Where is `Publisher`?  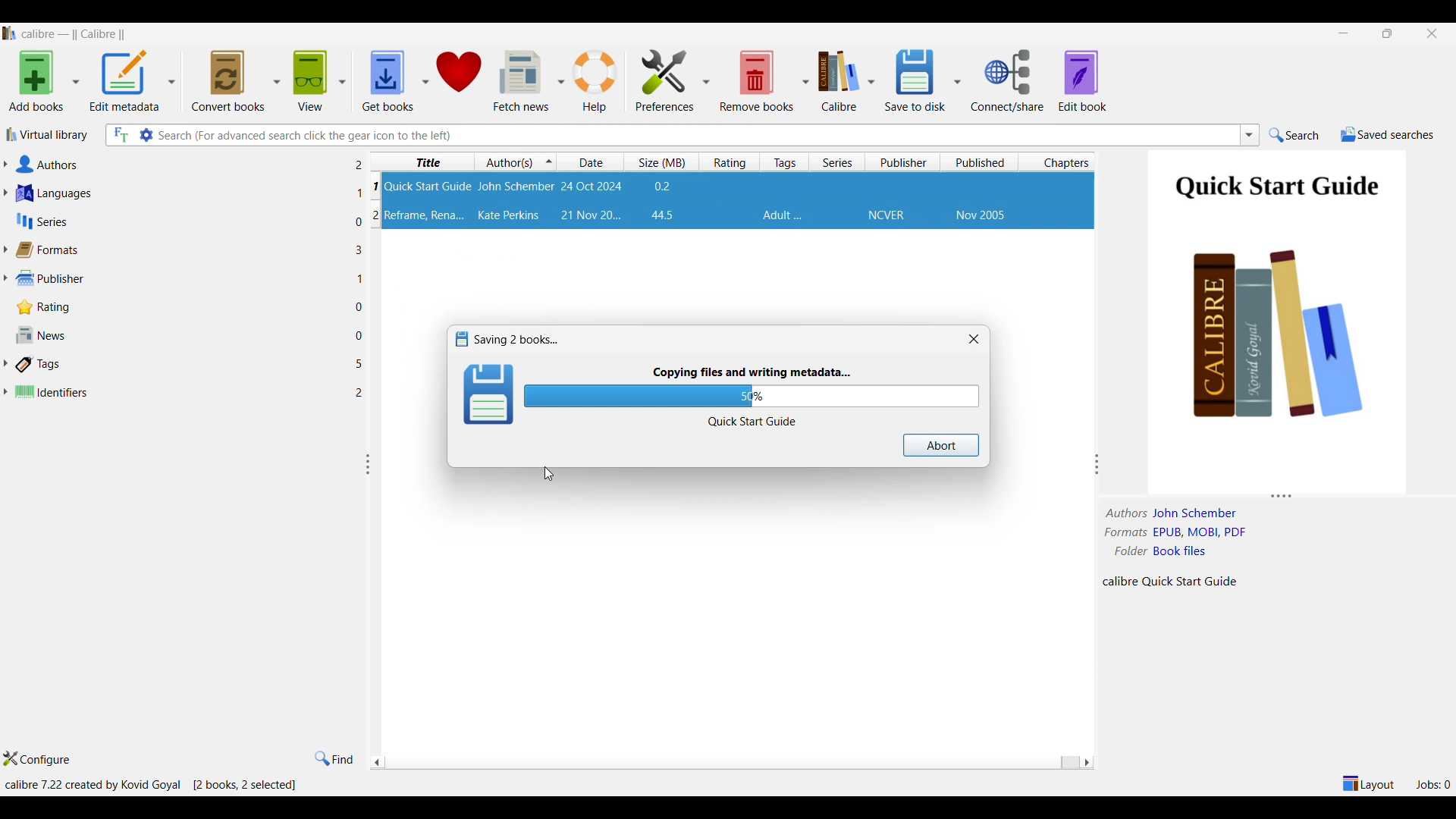 Publisher is located at coordinates (886, 216).